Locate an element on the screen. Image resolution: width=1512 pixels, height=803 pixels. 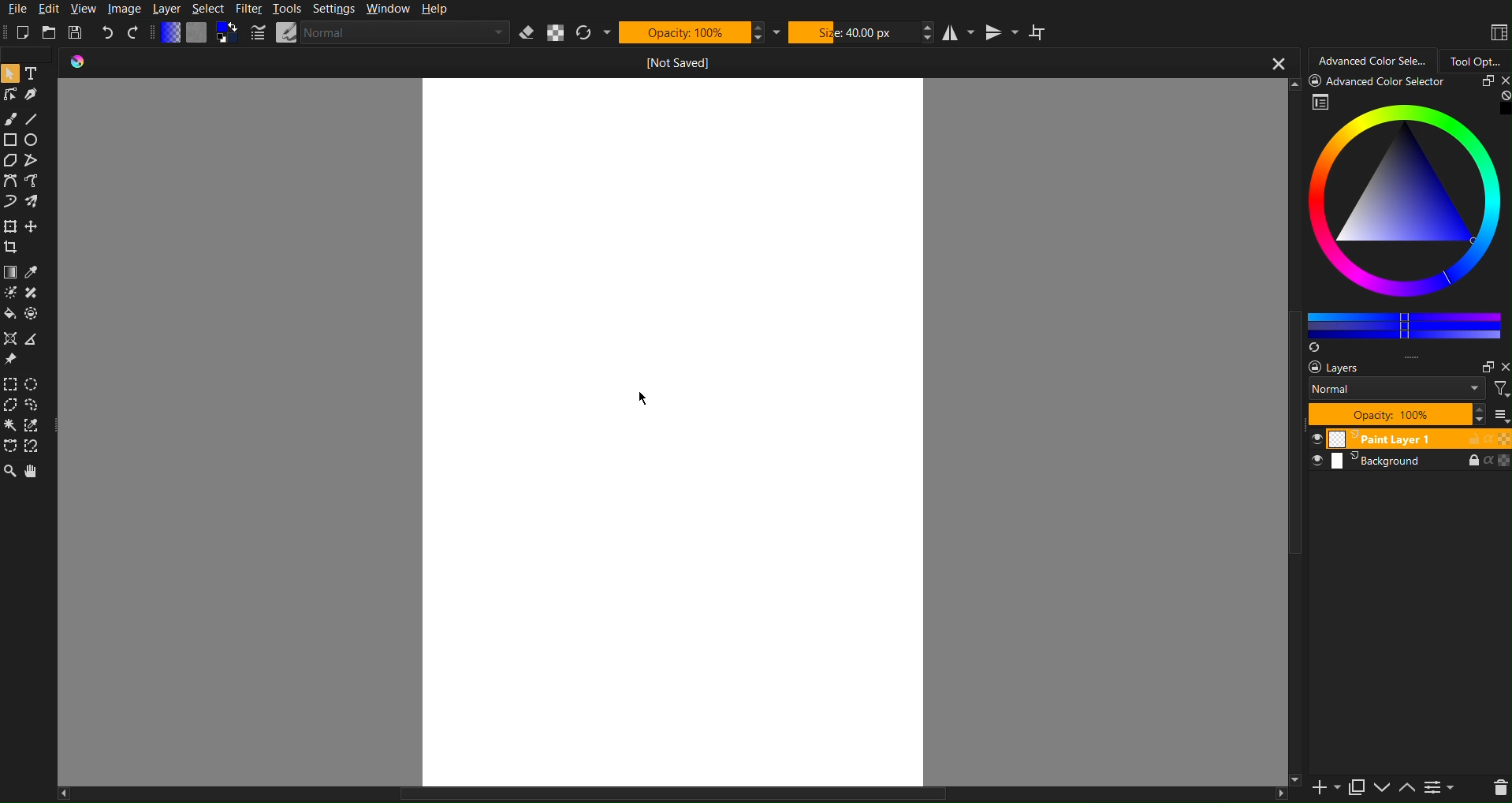
Alpha is located at coordinates (557, 32).